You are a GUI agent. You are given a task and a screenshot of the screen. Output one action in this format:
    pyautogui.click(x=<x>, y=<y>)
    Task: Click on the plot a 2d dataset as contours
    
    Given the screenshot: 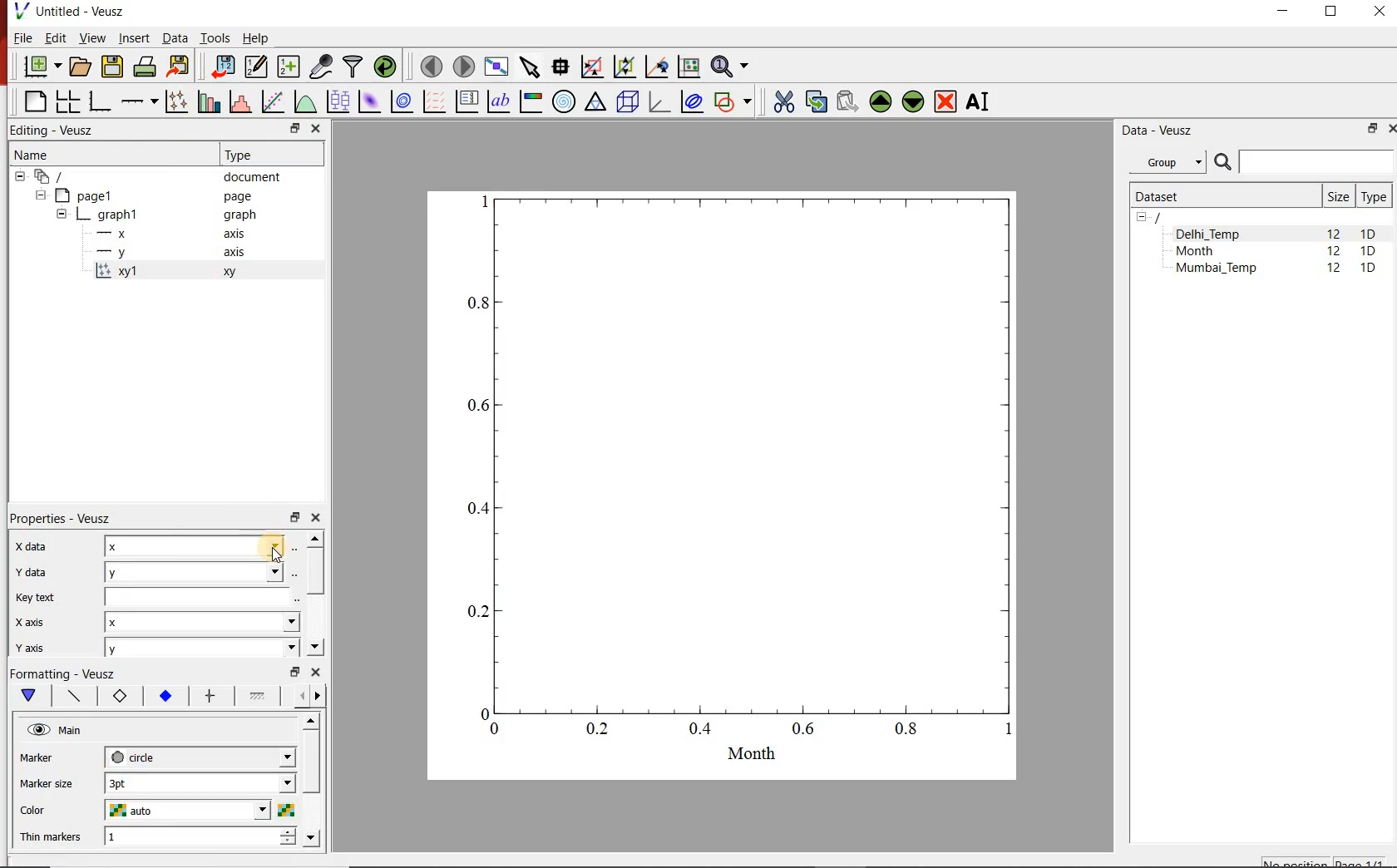 What is the action you would take?
    pyautogui.click(x=402, y=102)
    